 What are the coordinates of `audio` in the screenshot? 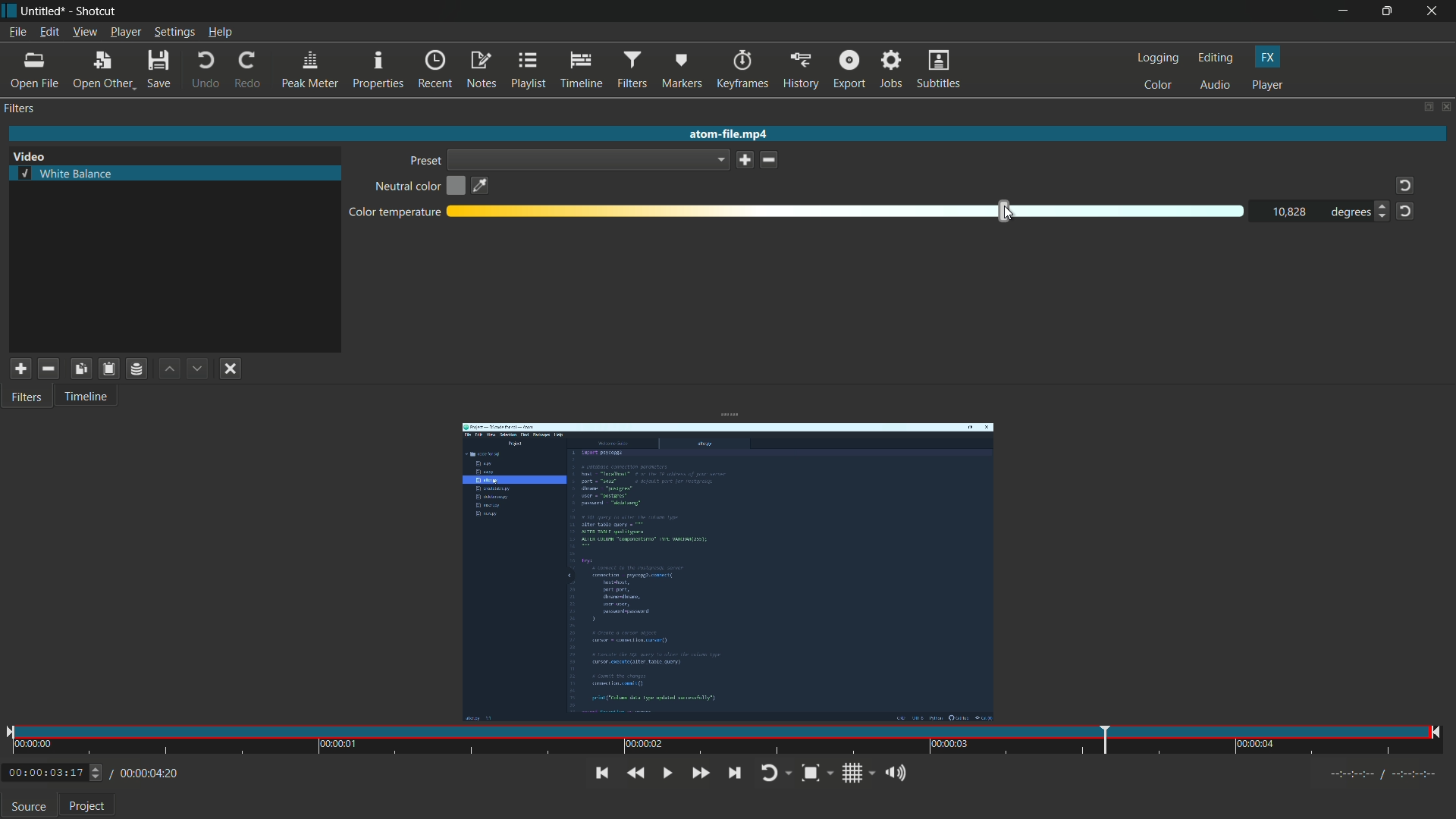 It's located at (1214, 86).